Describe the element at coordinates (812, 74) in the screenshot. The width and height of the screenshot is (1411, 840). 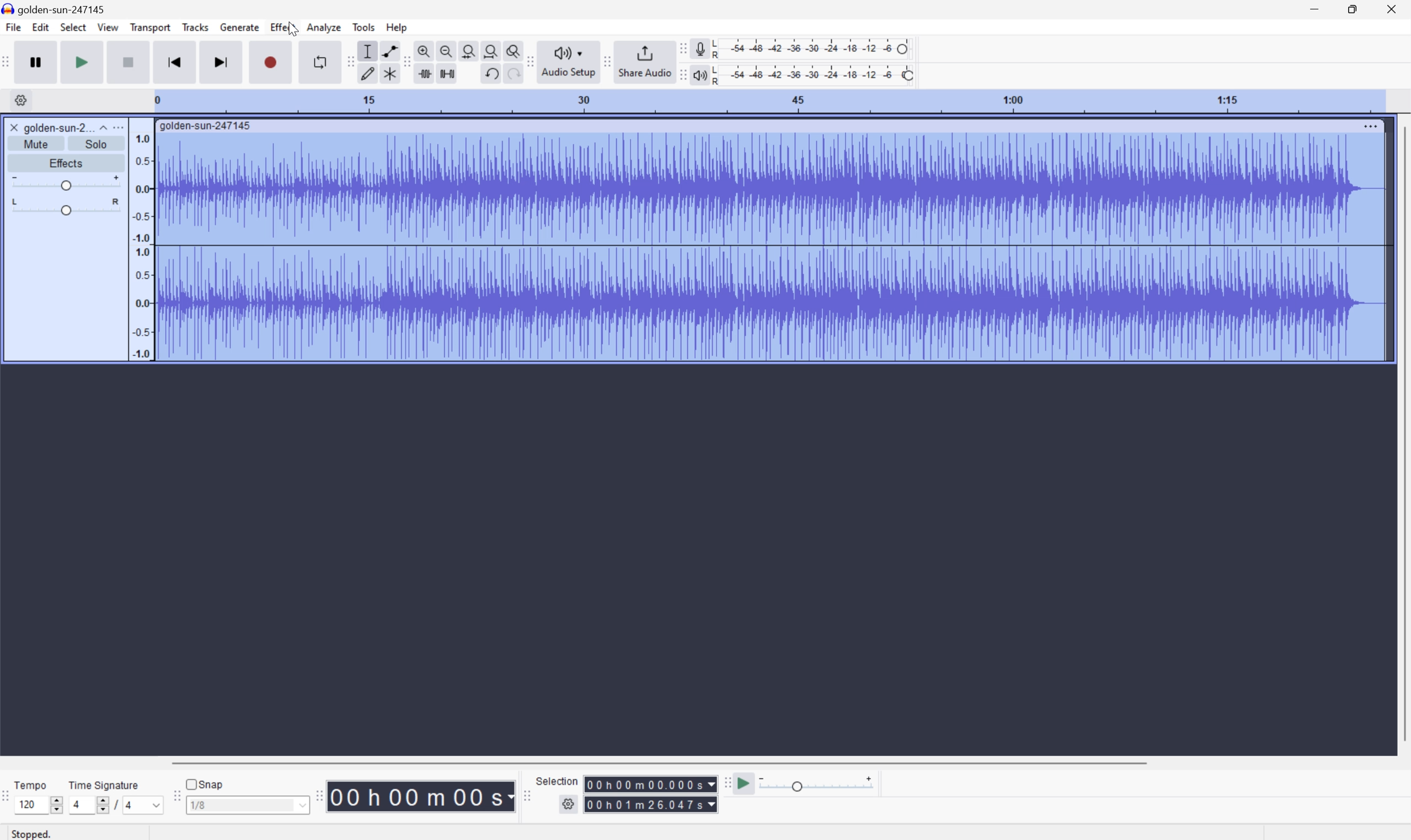
I see `Playback level: 100%` at that location.